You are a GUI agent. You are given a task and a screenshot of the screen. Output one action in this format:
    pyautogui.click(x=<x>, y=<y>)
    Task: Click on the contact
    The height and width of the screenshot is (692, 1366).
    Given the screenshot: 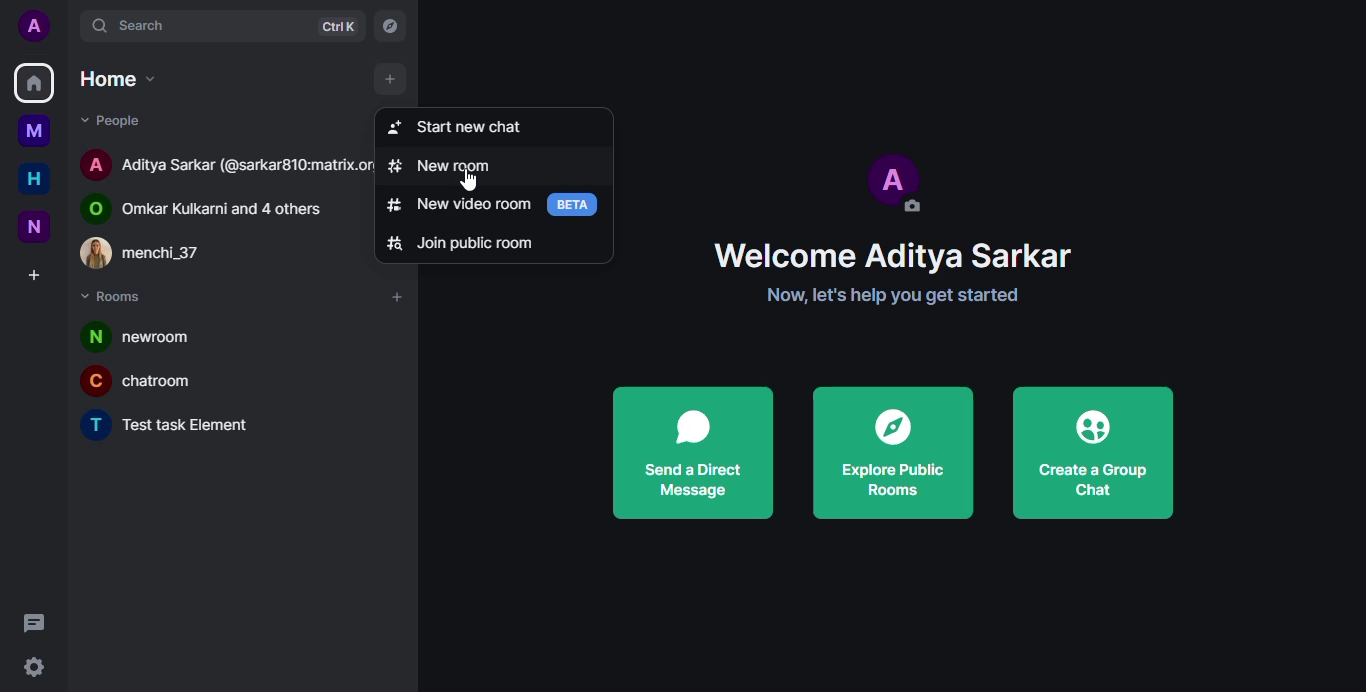 What is the action you would take?
    pyautogui.click(x=156, y=255)
    